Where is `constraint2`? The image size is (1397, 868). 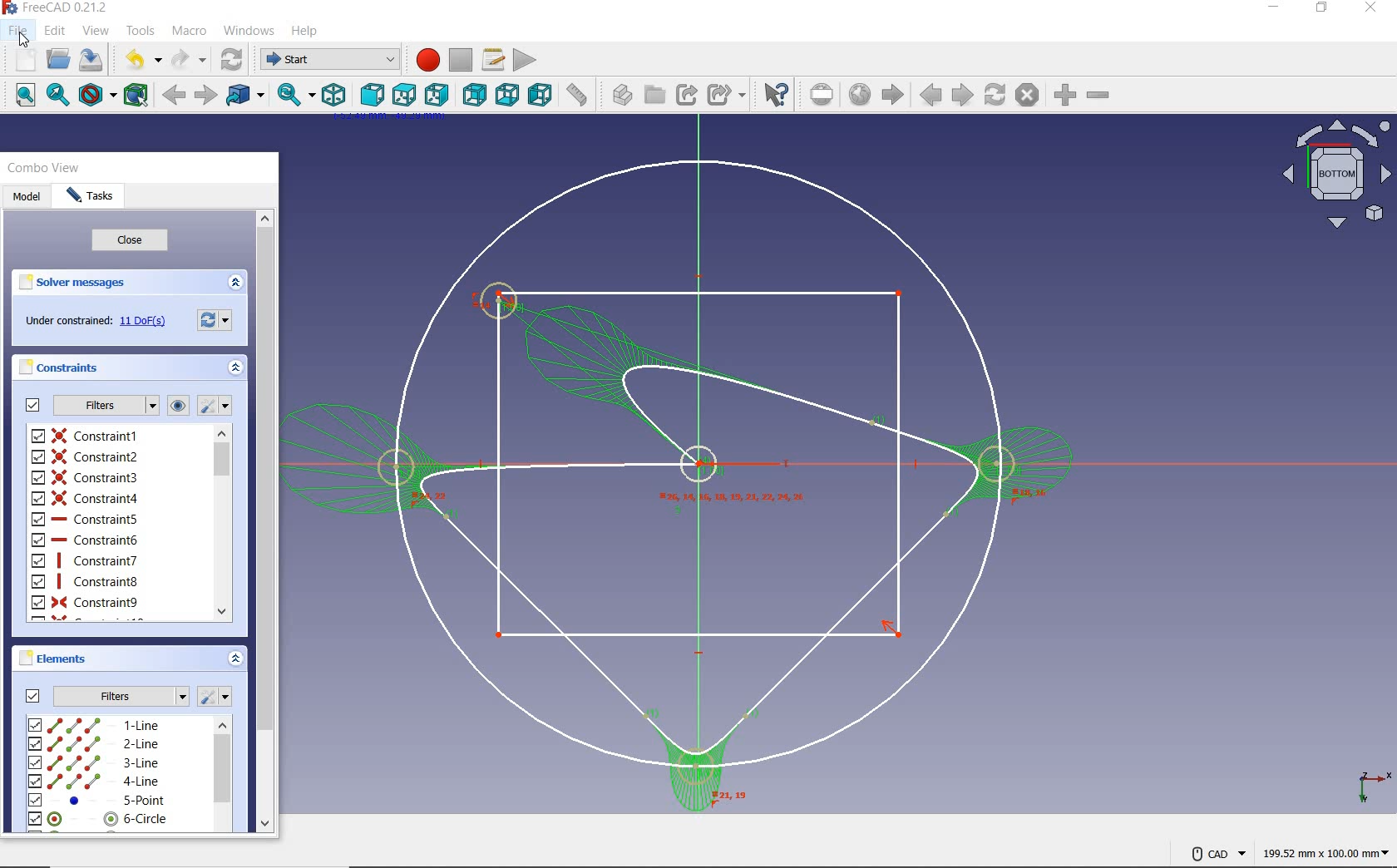 constraint2 is located at coordinates (85, 457).